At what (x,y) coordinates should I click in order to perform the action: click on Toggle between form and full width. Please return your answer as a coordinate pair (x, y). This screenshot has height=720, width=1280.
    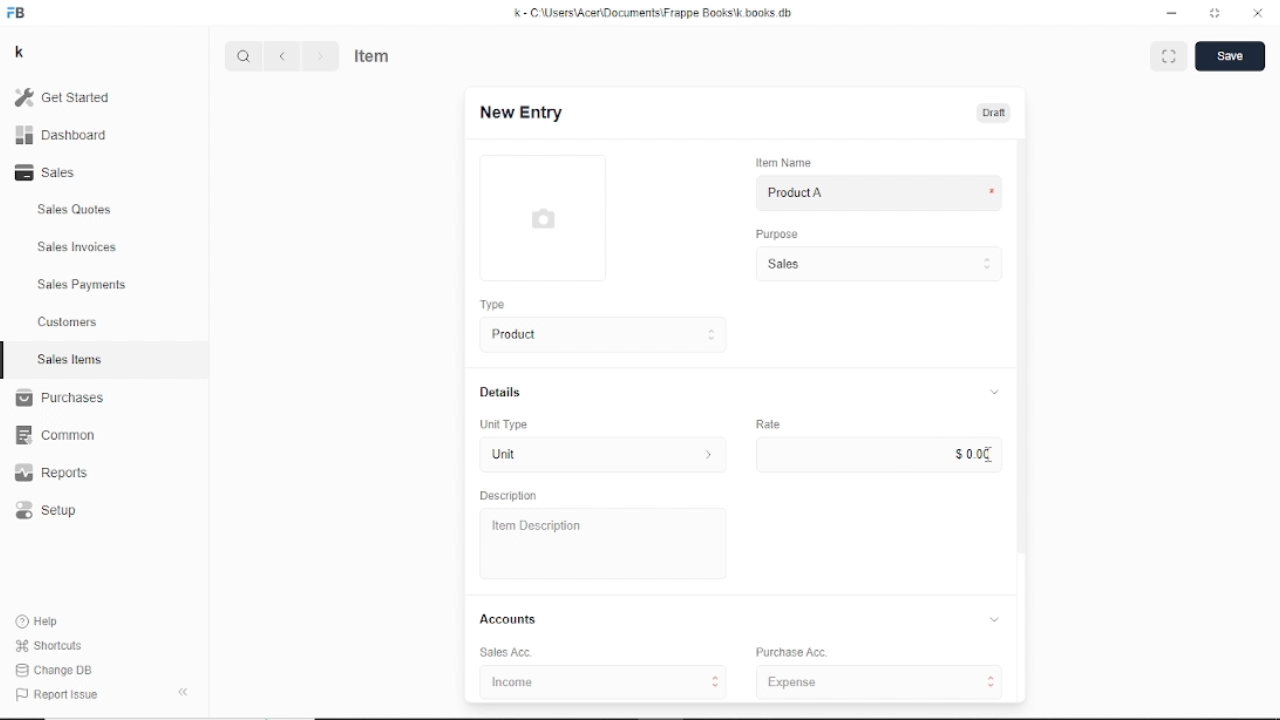
    Looking at the image, I should click on (1215, 12).